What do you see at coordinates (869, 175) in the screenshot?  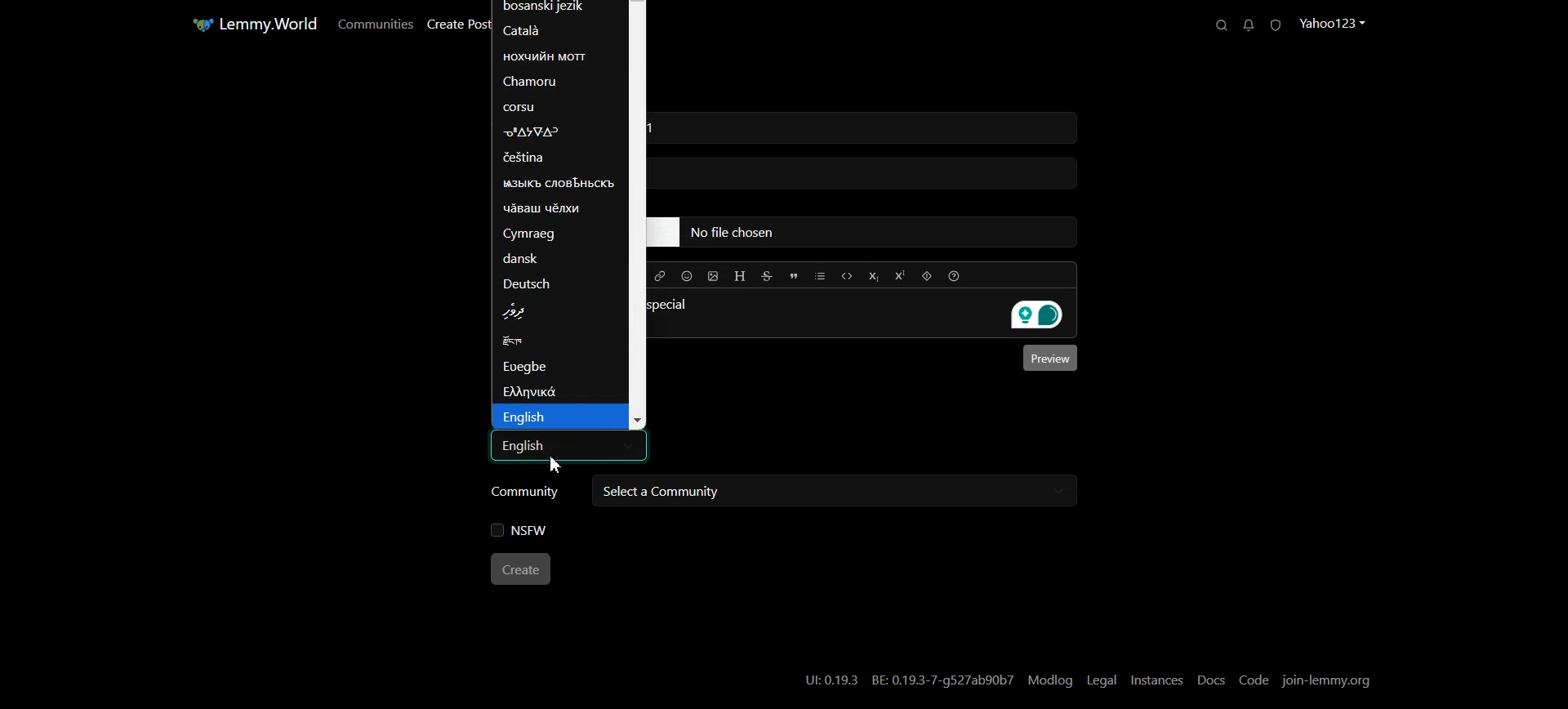 I see `typing field` at bounding box center [869, 175].